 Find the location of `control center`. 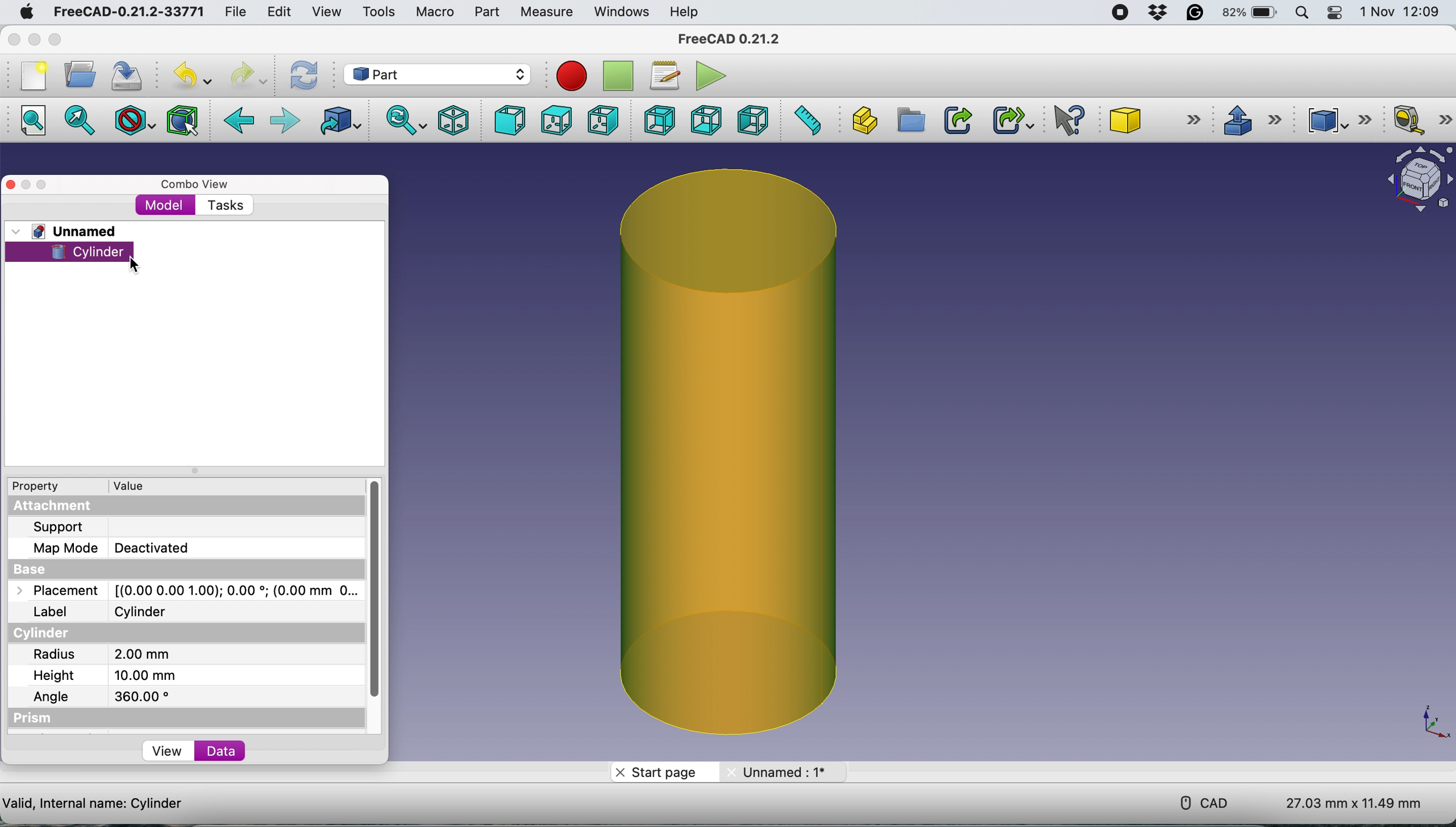

control center is located at coordinates (1337, 15).